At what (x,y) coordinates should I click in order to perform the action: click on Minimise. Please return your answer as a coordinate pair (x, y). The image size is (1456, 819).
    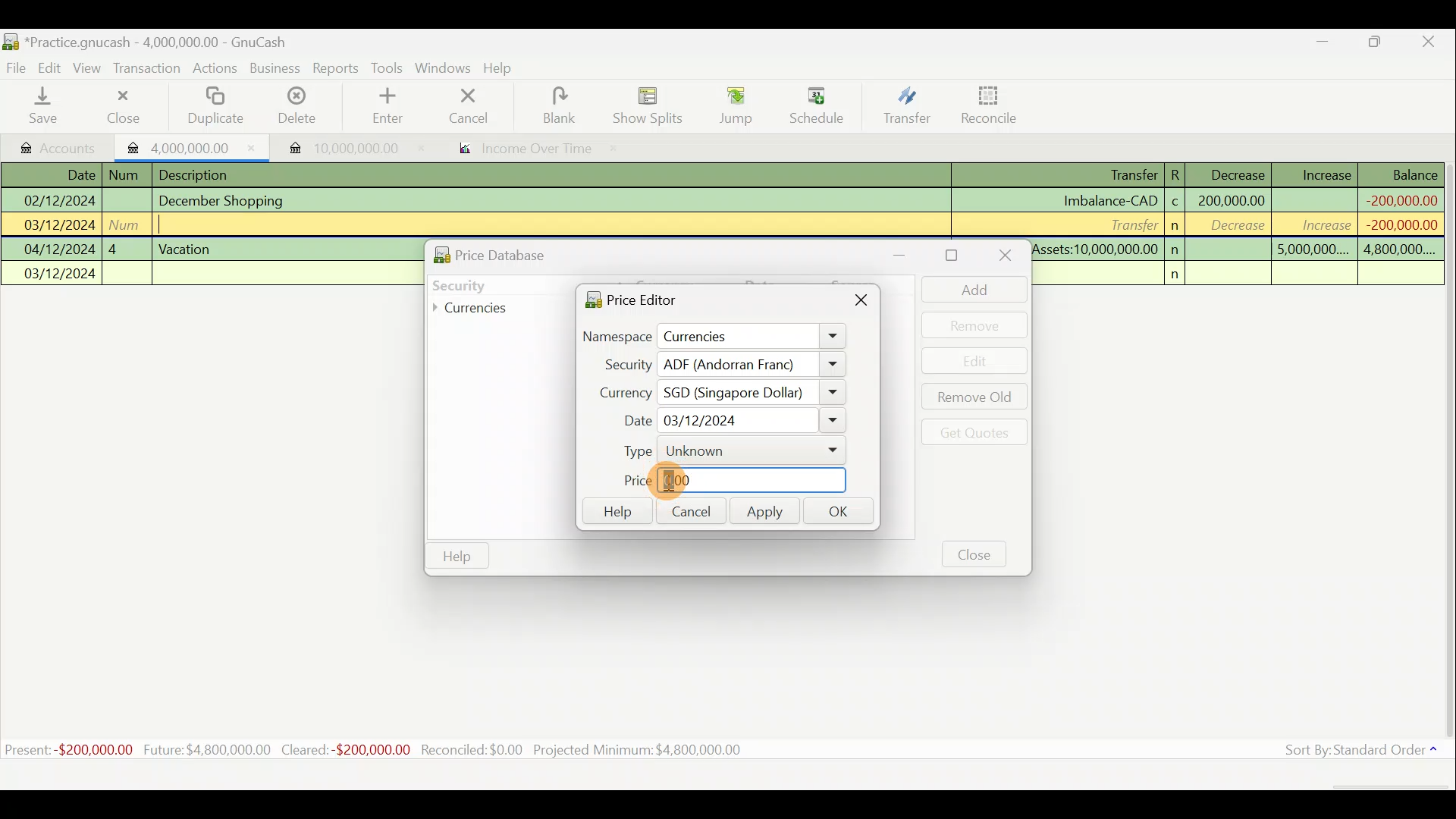
    Looking at the image, I should click on (1325, 45).